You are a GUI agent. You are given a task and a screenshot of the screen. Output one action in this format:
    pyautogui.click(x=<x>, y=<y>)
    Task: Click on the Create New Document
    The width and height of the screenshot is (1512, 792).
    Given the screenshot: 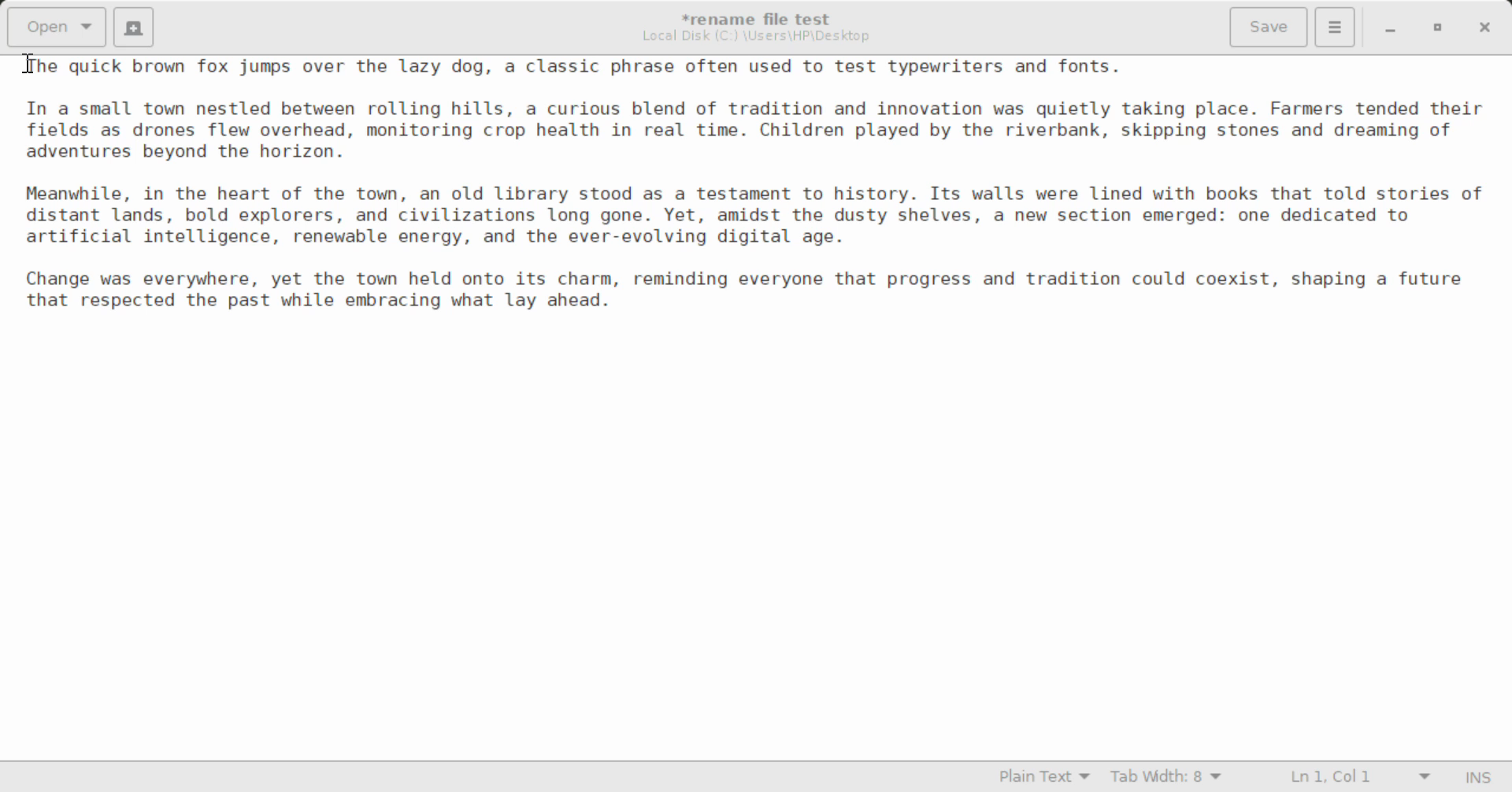 What is the action you would take?
    pyautogui.click(x=134, y=29)
    